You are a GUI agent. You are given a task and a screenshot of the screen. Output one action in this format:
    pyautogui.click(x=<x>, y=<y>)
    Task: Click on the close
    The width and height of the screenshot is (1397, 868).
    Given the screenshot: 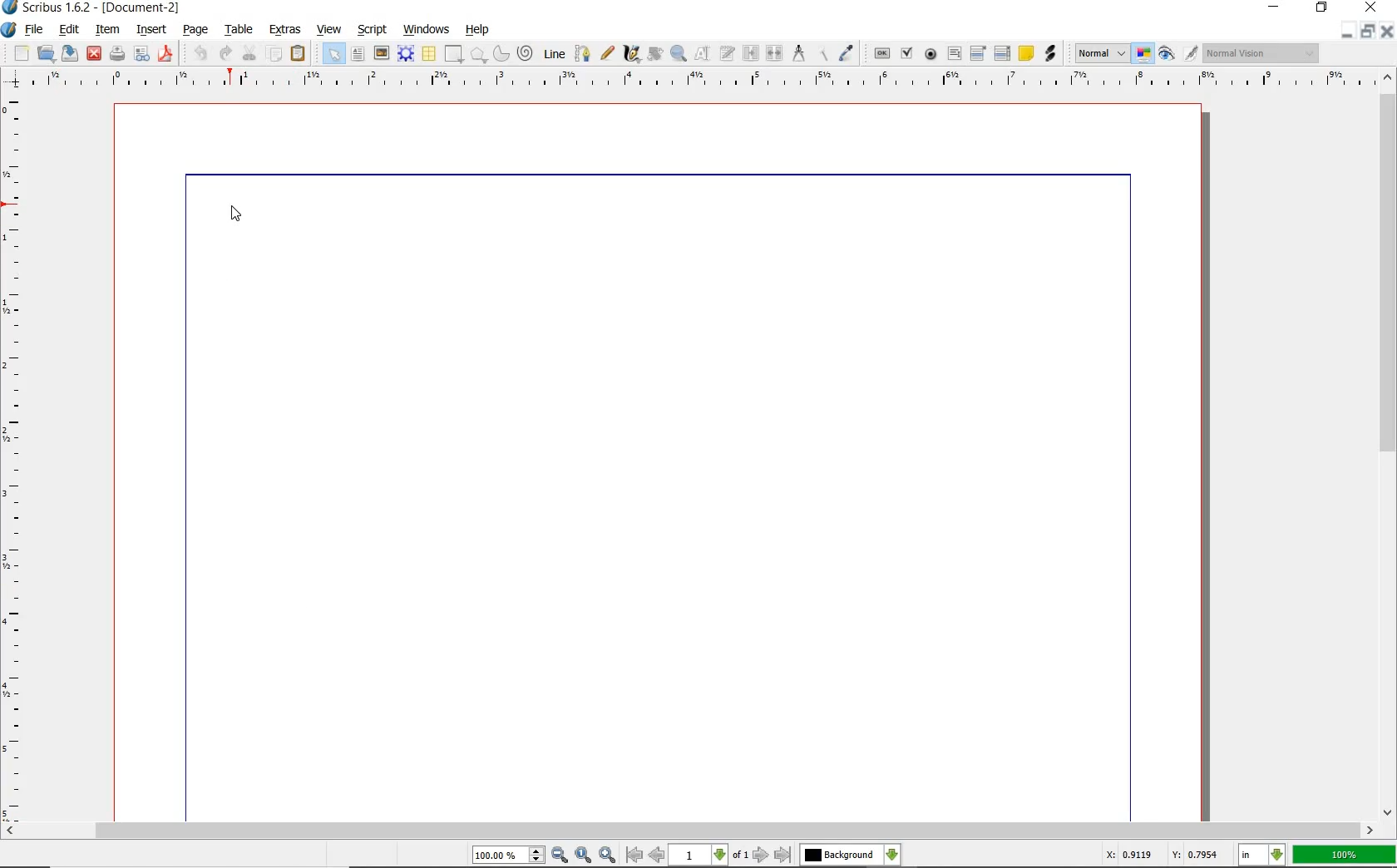 What is the action you would take?
    pyautogui.click(x=1389, y=32)
    